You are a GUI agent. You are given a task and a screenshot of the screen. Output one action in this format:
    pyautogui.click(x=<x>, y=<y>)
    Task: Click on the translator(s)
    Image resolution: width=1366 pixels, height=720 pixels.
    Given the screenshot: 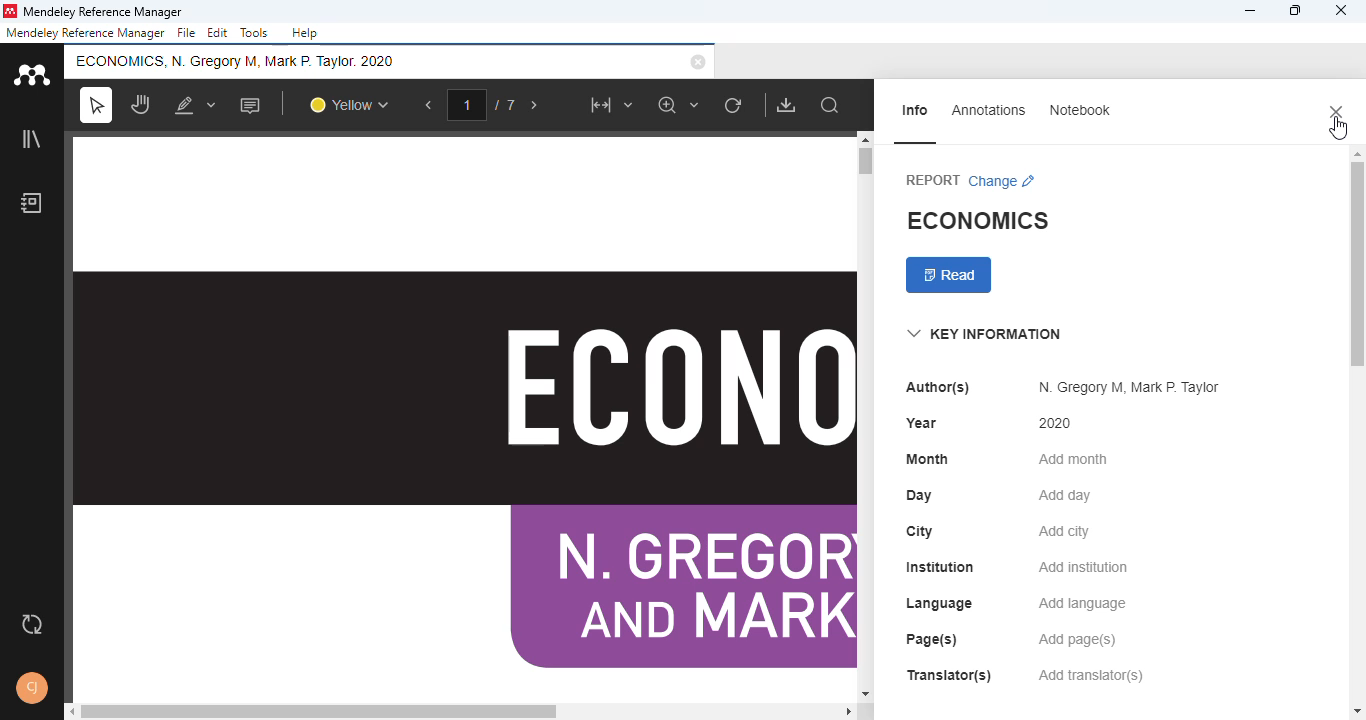 What is the action you would take?
    pyautogui.click(x=949, y=675)
    